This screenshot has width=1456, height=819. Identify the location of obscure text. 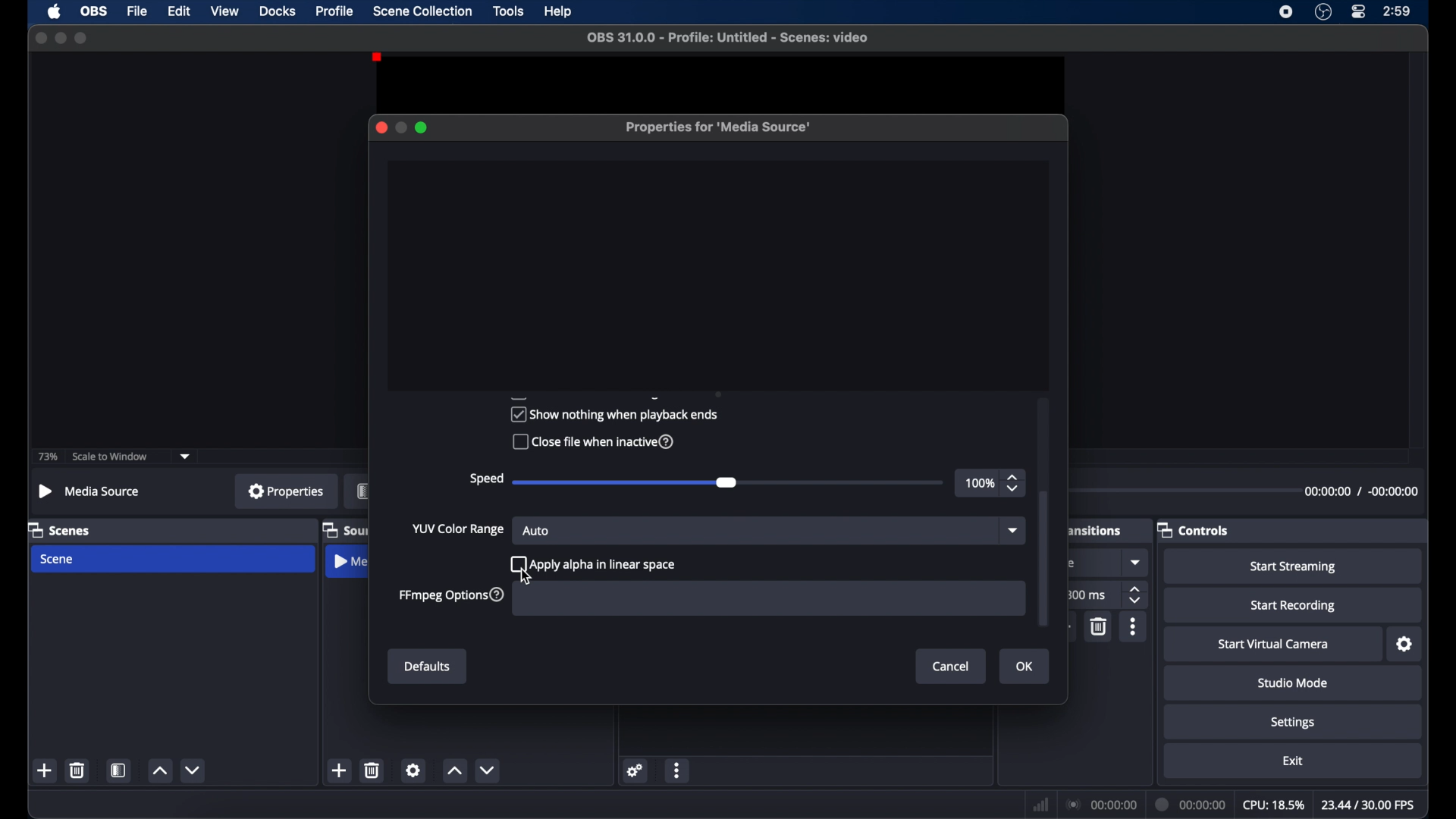
(1069, 563).